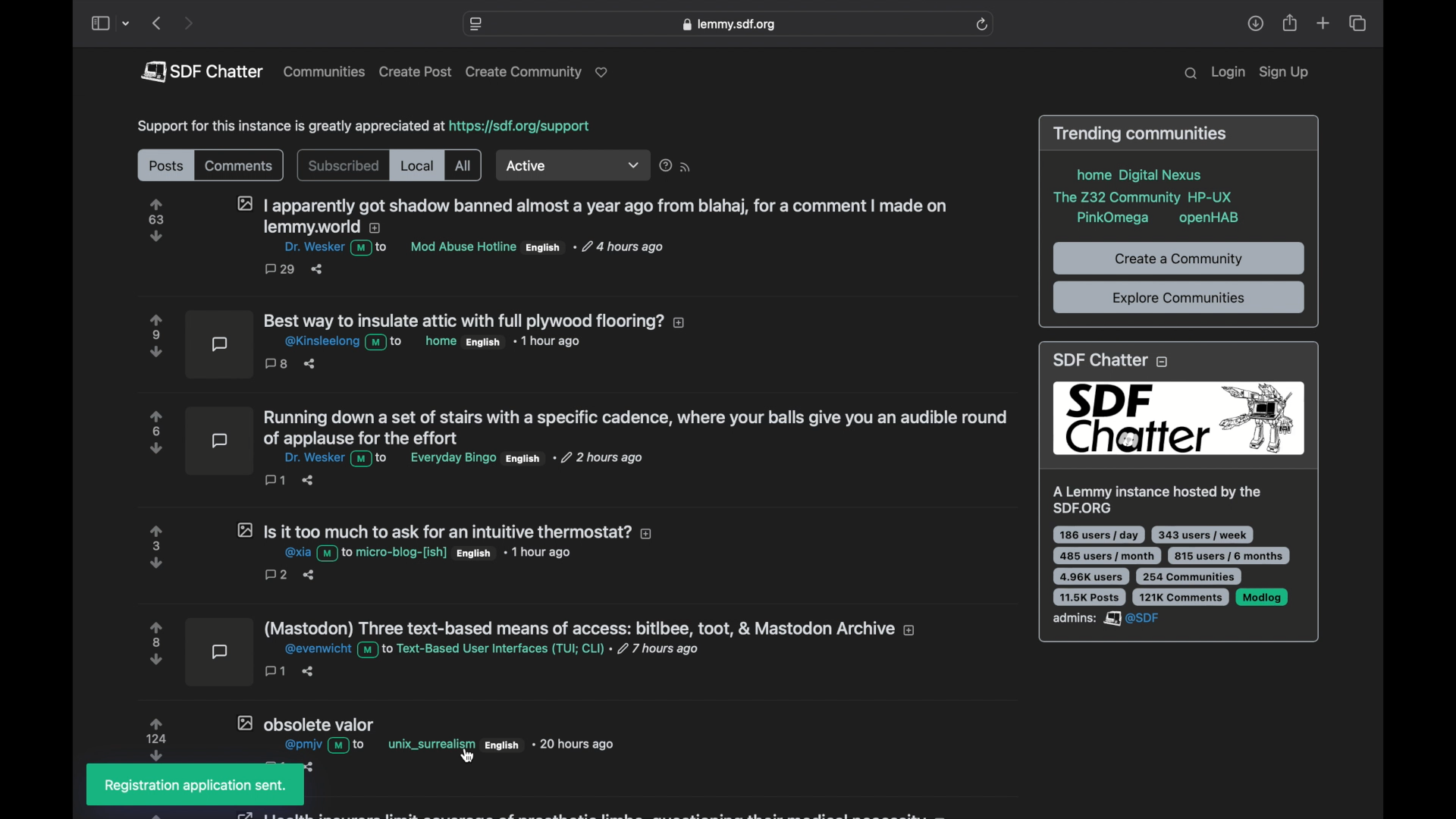 This screenshot has width=1456, height=819. What do you see at coordinates (728, 24) in the screenshot?
I see `web address` at bounding box center [728, 24].